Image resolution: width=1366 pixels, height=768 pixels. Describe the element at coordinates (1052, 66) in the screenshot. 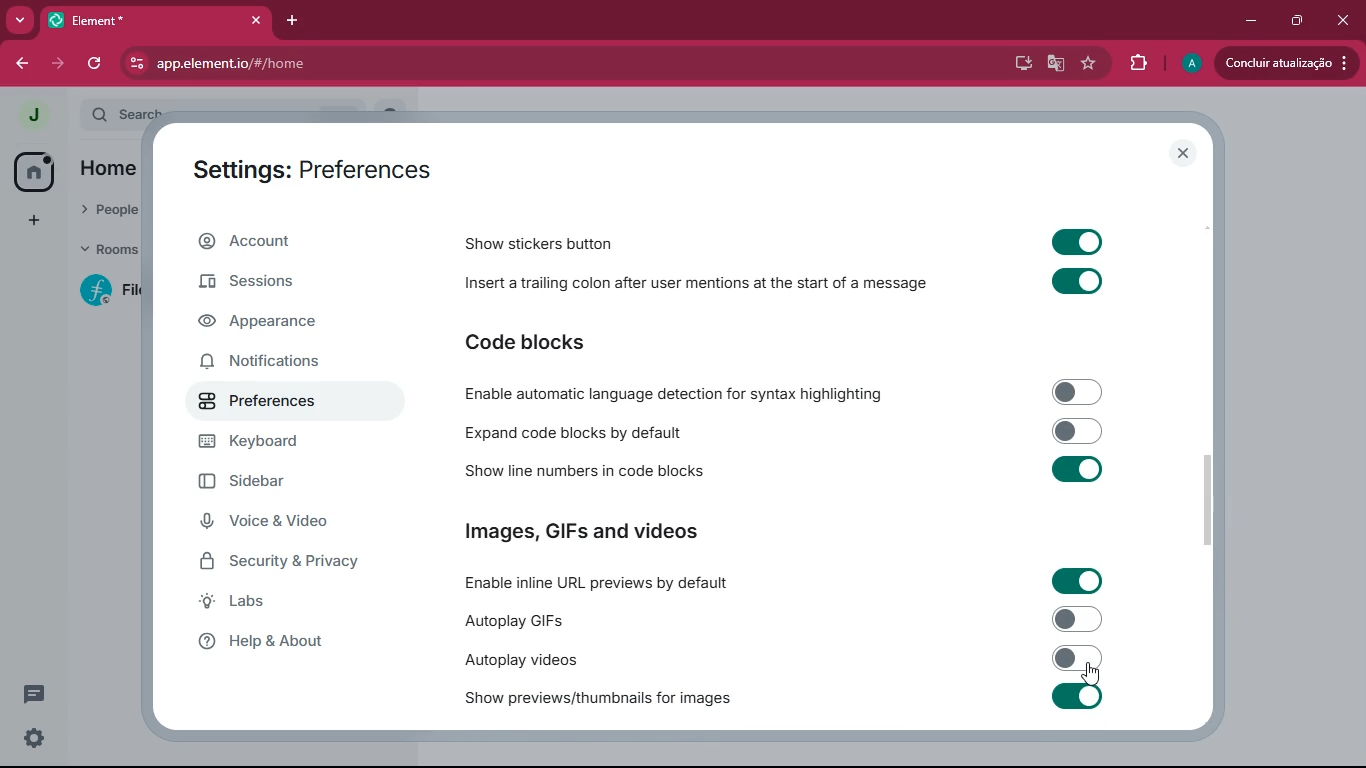

I see `google translate` at that location.